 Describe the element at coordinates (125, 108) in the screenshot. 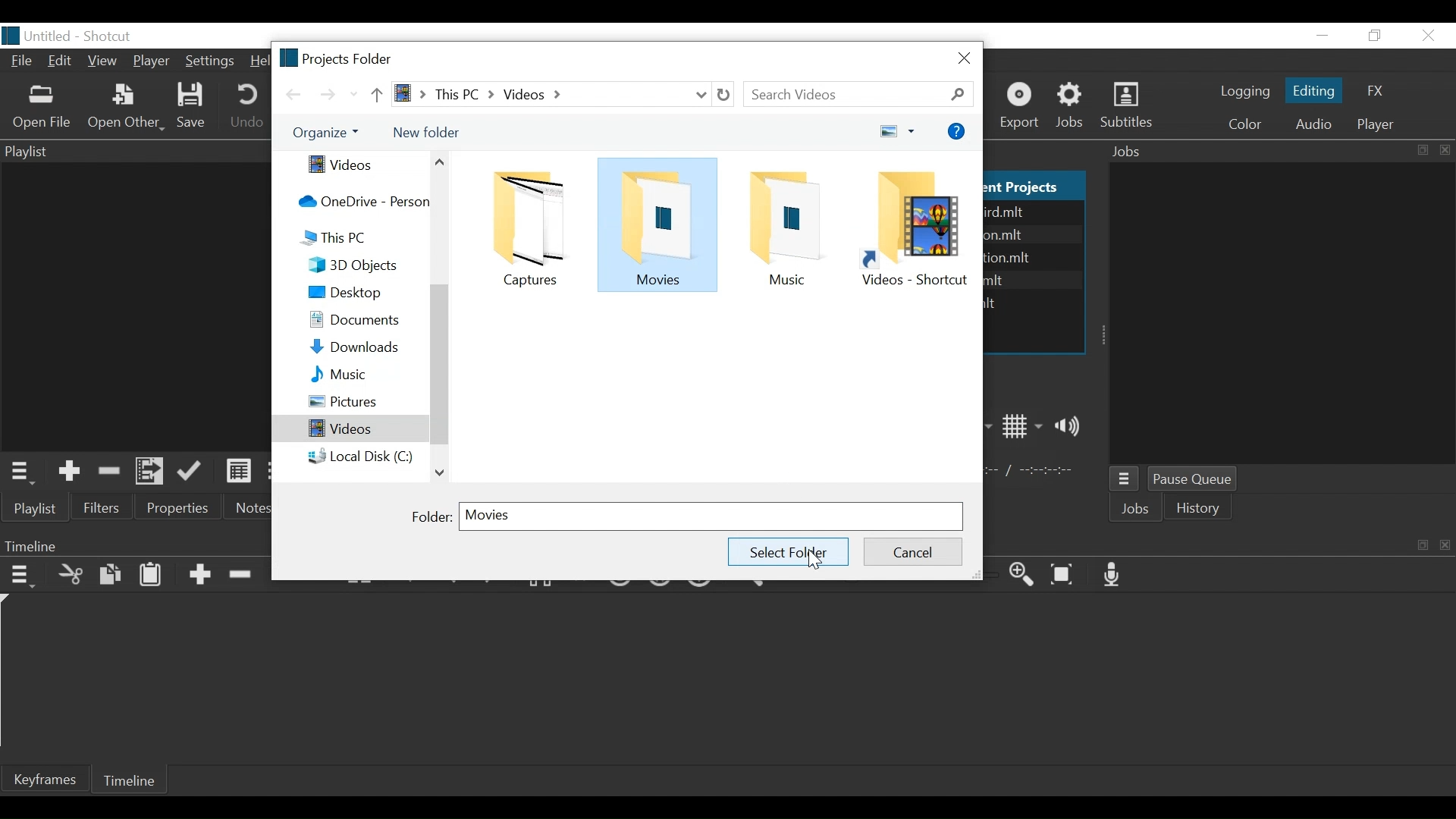

I see `Open Other` at that location.